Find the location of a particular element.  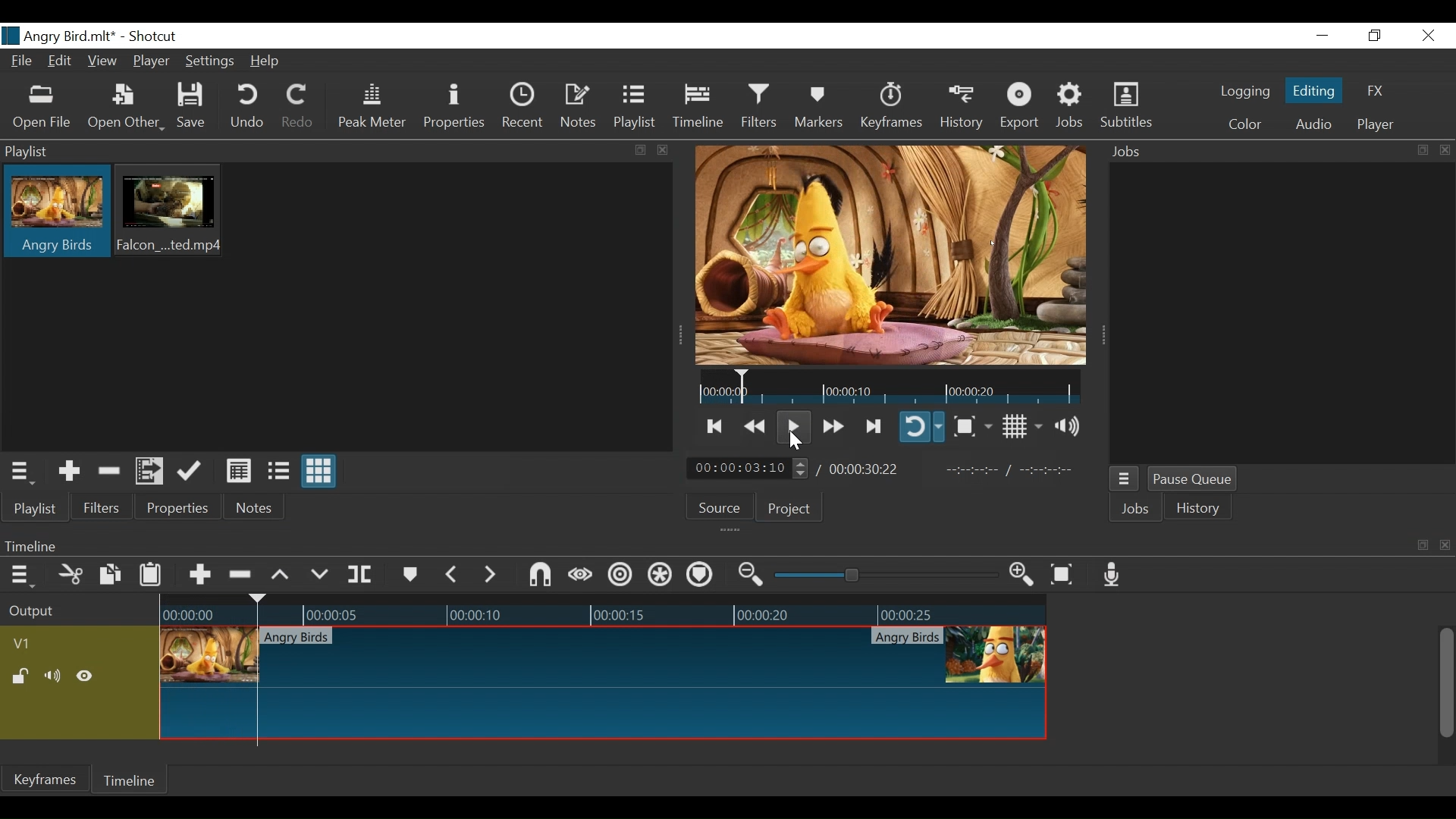

Clip is located at coordinates (56, 213).